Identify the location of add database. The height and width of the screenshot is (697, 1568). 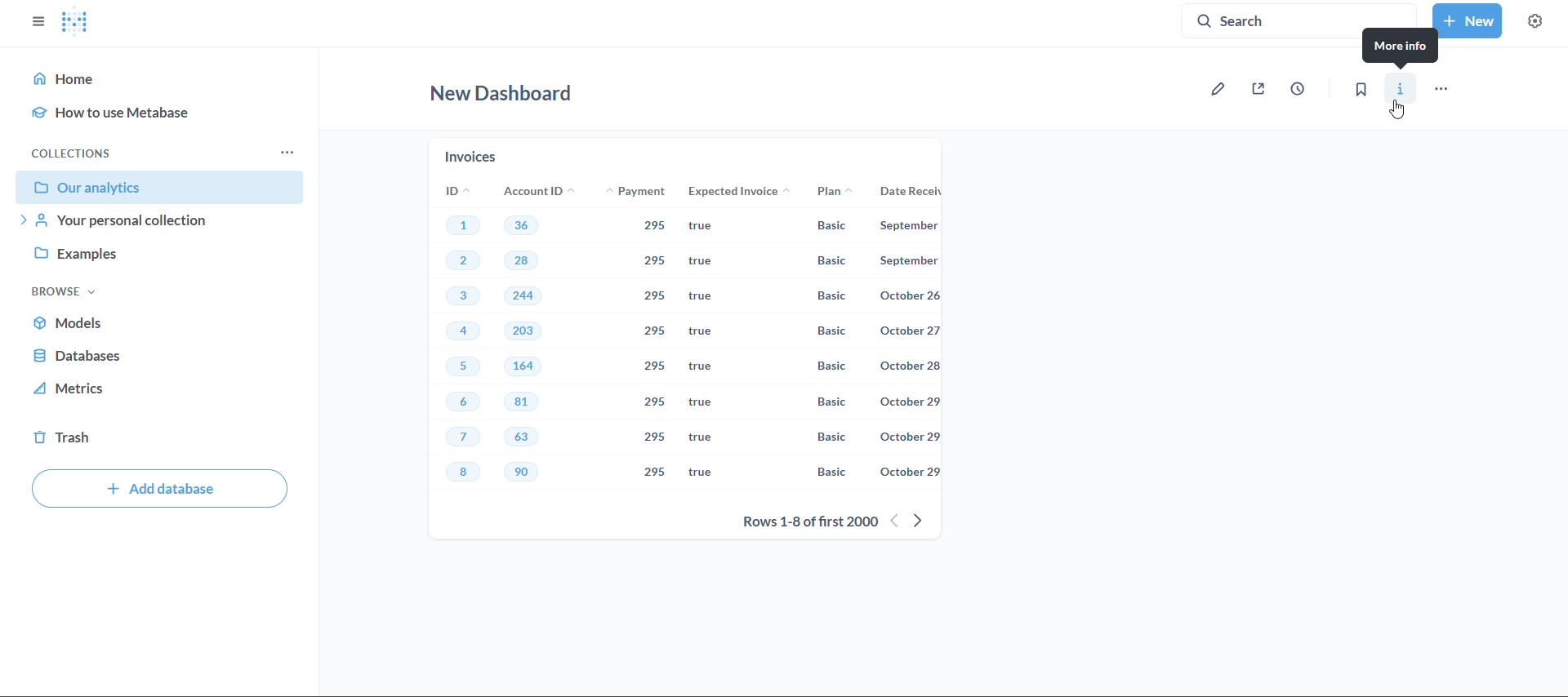
(160, 489).